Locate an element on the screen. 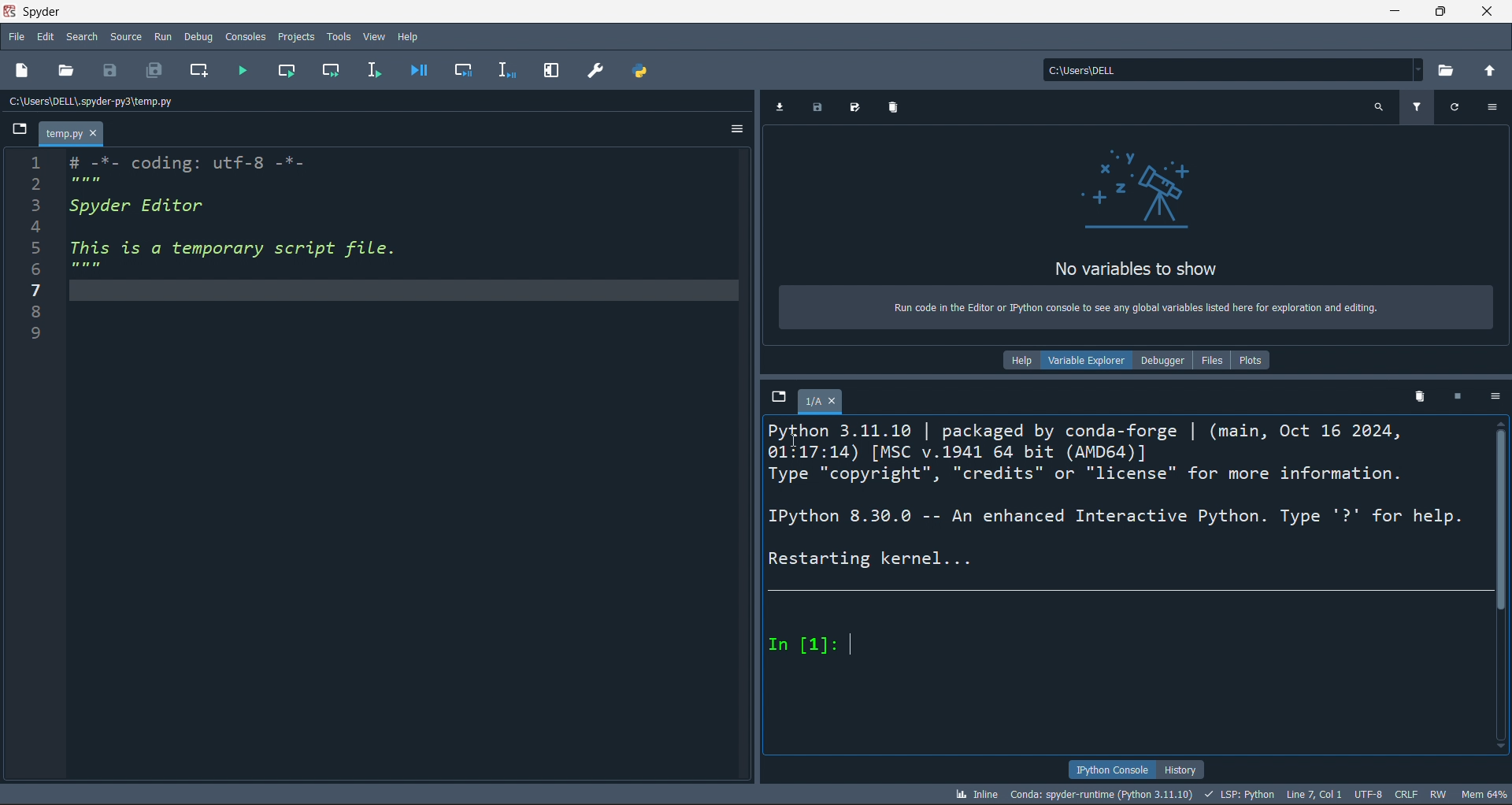 The height and width of the screenshot is (805, 1512). IPYTHON CONSOLE is located at coordinates (1111, 768).